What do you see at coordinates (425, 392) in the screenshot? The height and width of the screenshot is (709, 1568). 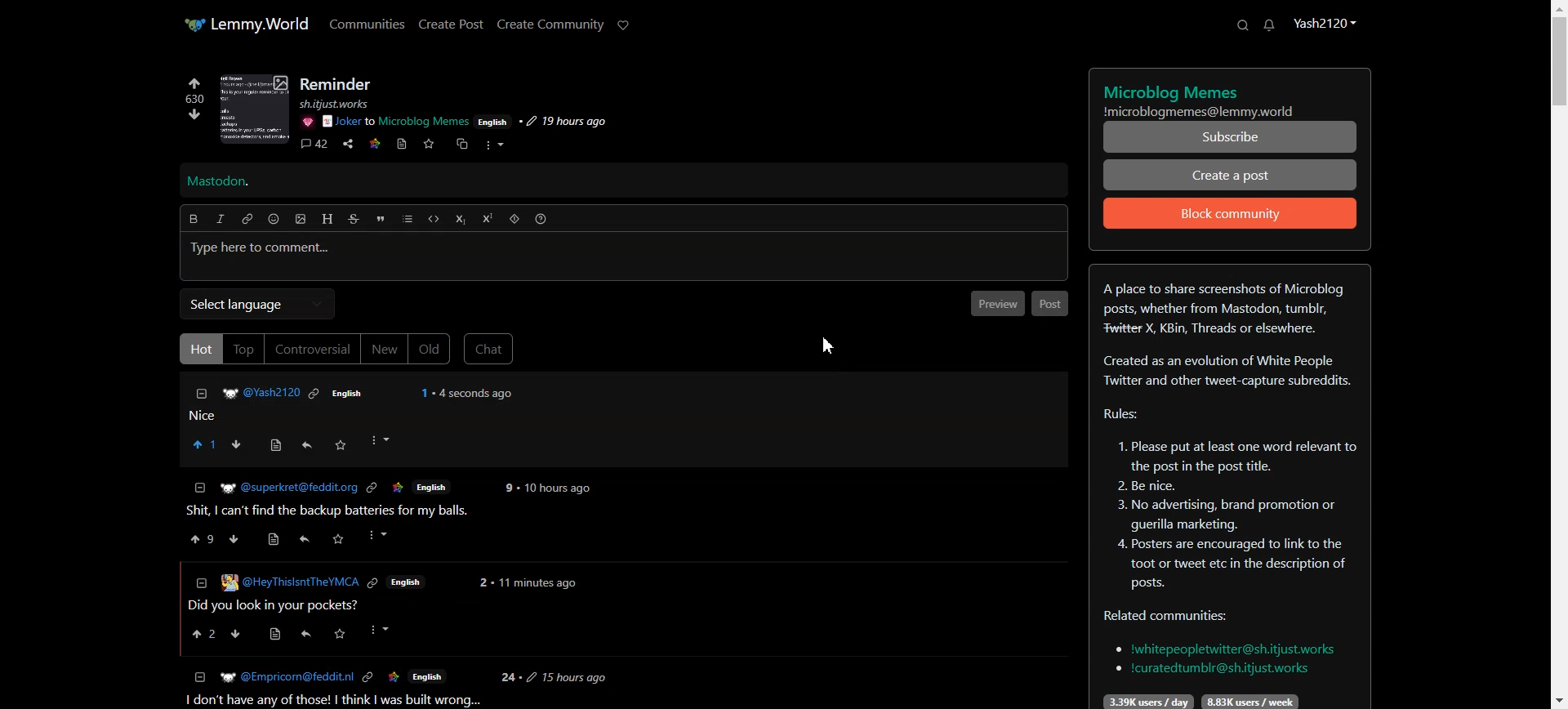 I see `` at bounding box center [425, 392].